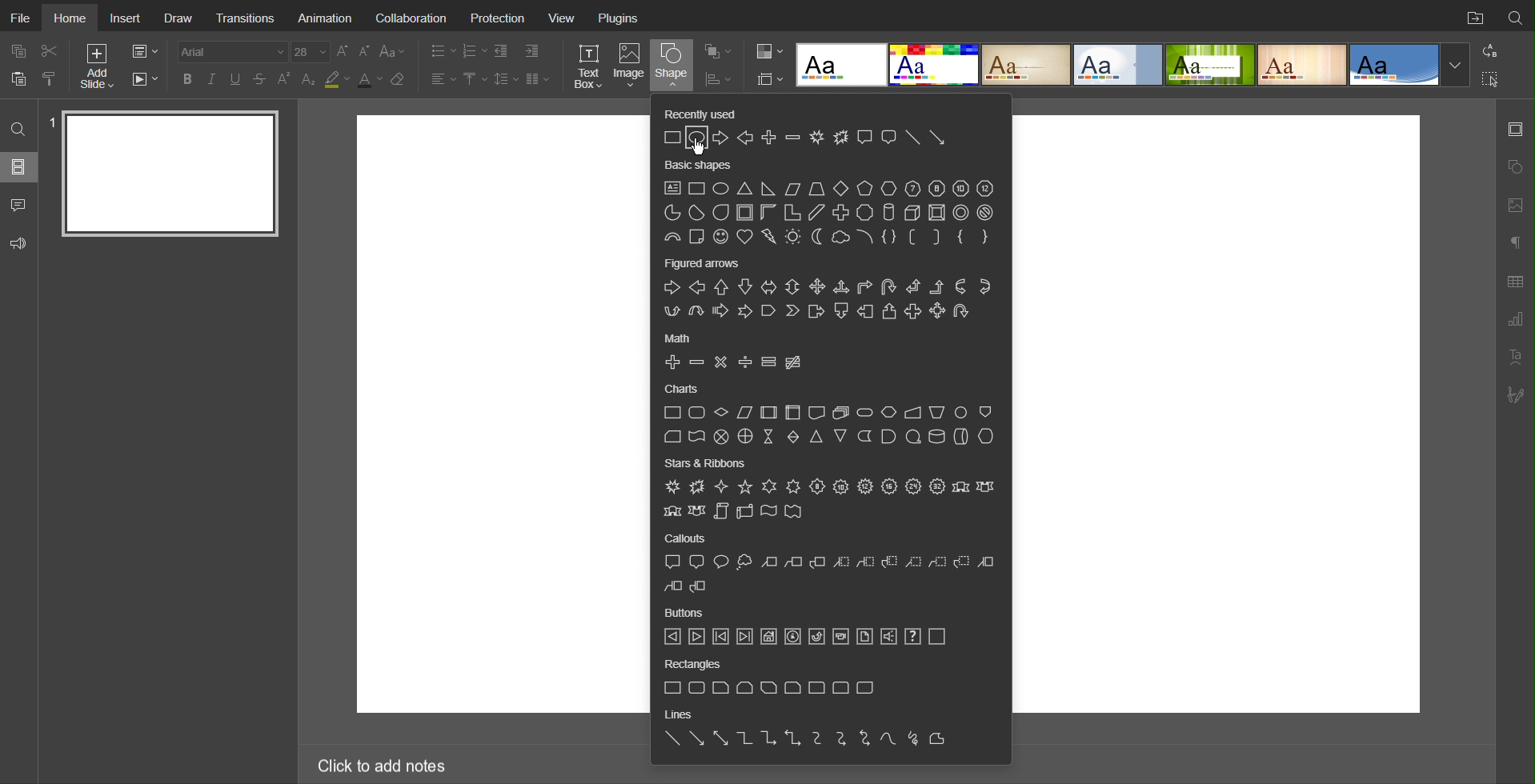  What do you see at coordinates (96, 69) in the screenshot?
I see `Add Slide` at bounding box center [96, 69].